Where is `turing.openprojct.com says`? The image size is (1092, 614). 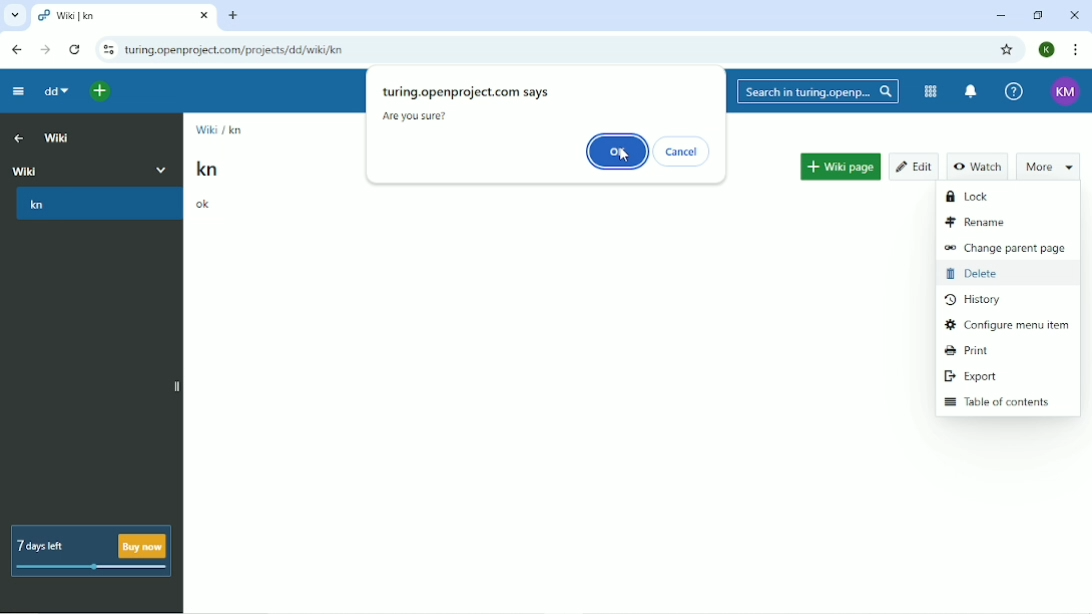
turing.openprojct.com says is located at coordinates (467, 94).